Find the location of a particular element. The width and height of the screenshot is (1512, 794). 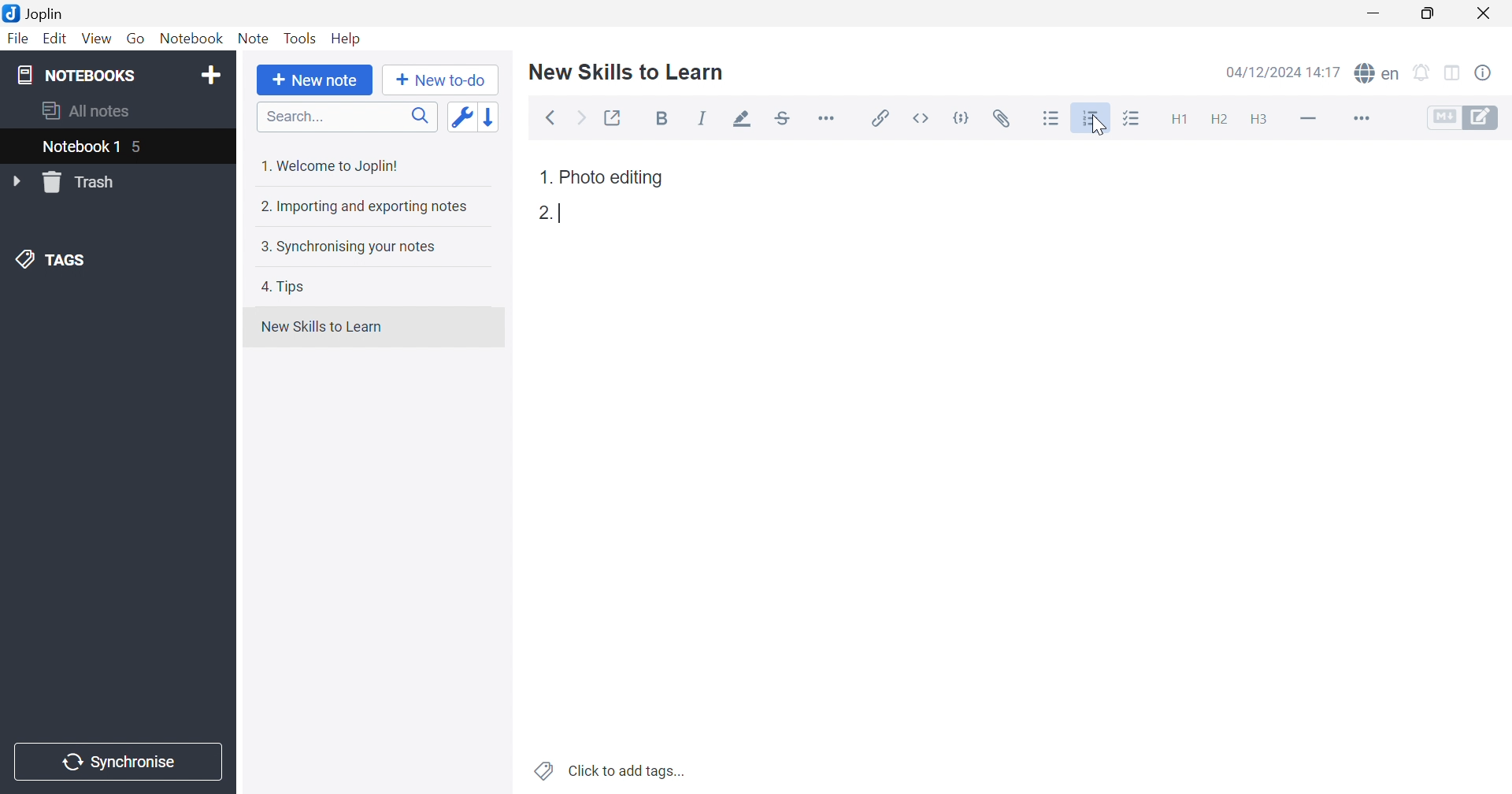

More... is located at coordinates (1359, 120).